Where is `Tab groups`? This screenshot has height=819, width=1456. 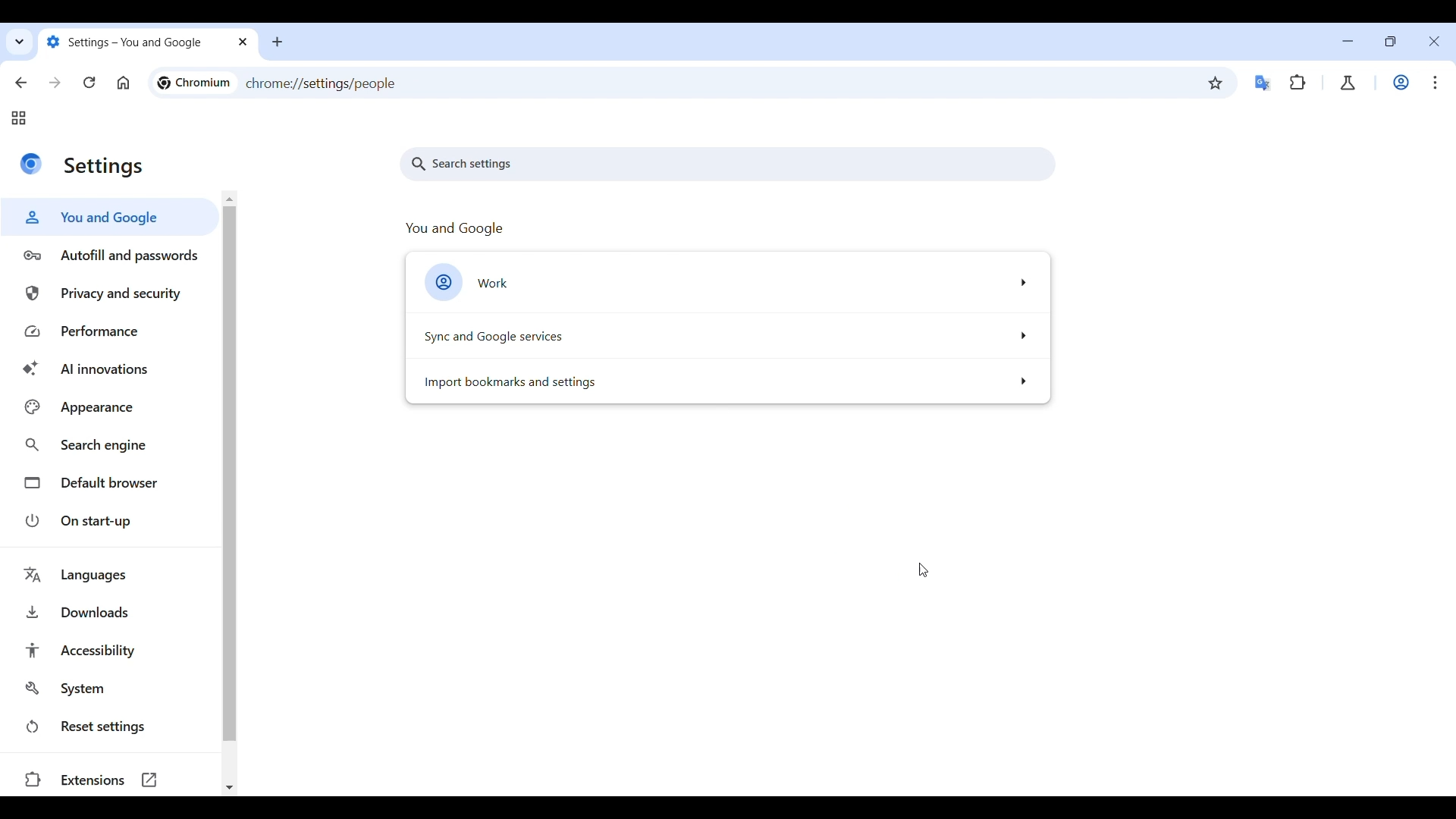 Tab groups is located at coordinates (18, 118).